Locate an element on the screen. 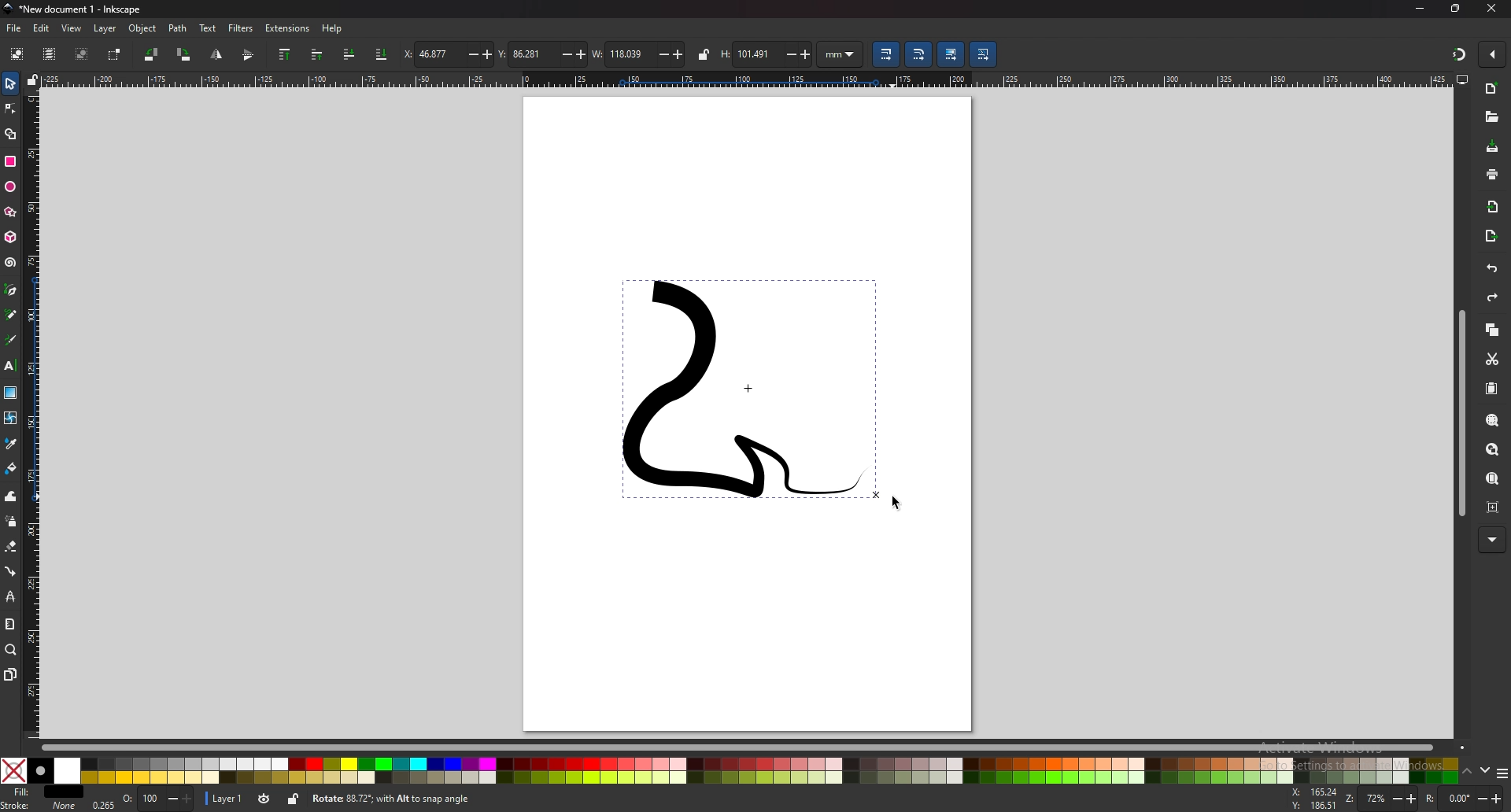 The width and height of the screenshot is (1511, 812). export is located at coordinates (1493, 236).